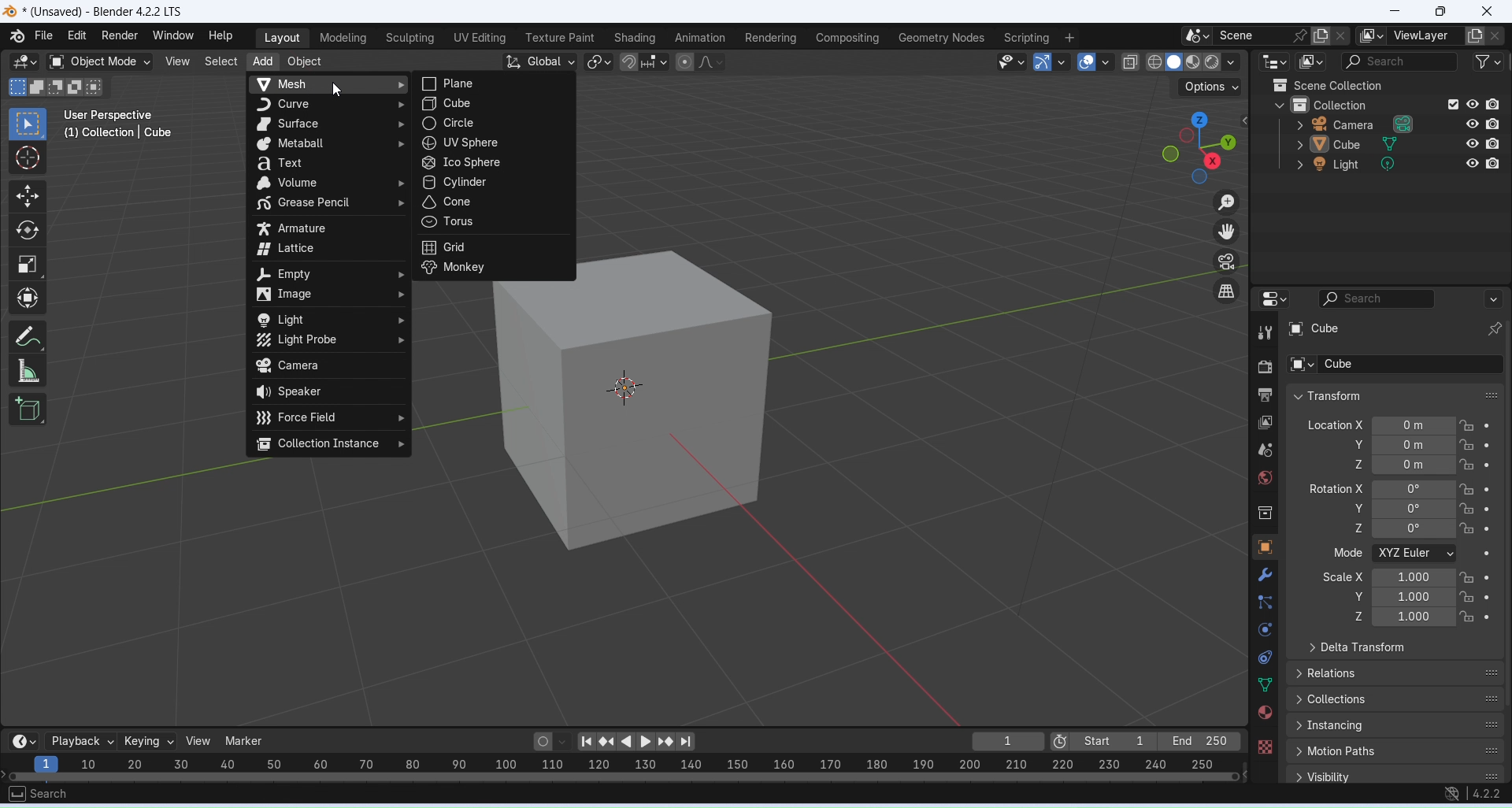 The height and width of the screenshot is (808, 1512). I want to click on cone, so click(494, 202).